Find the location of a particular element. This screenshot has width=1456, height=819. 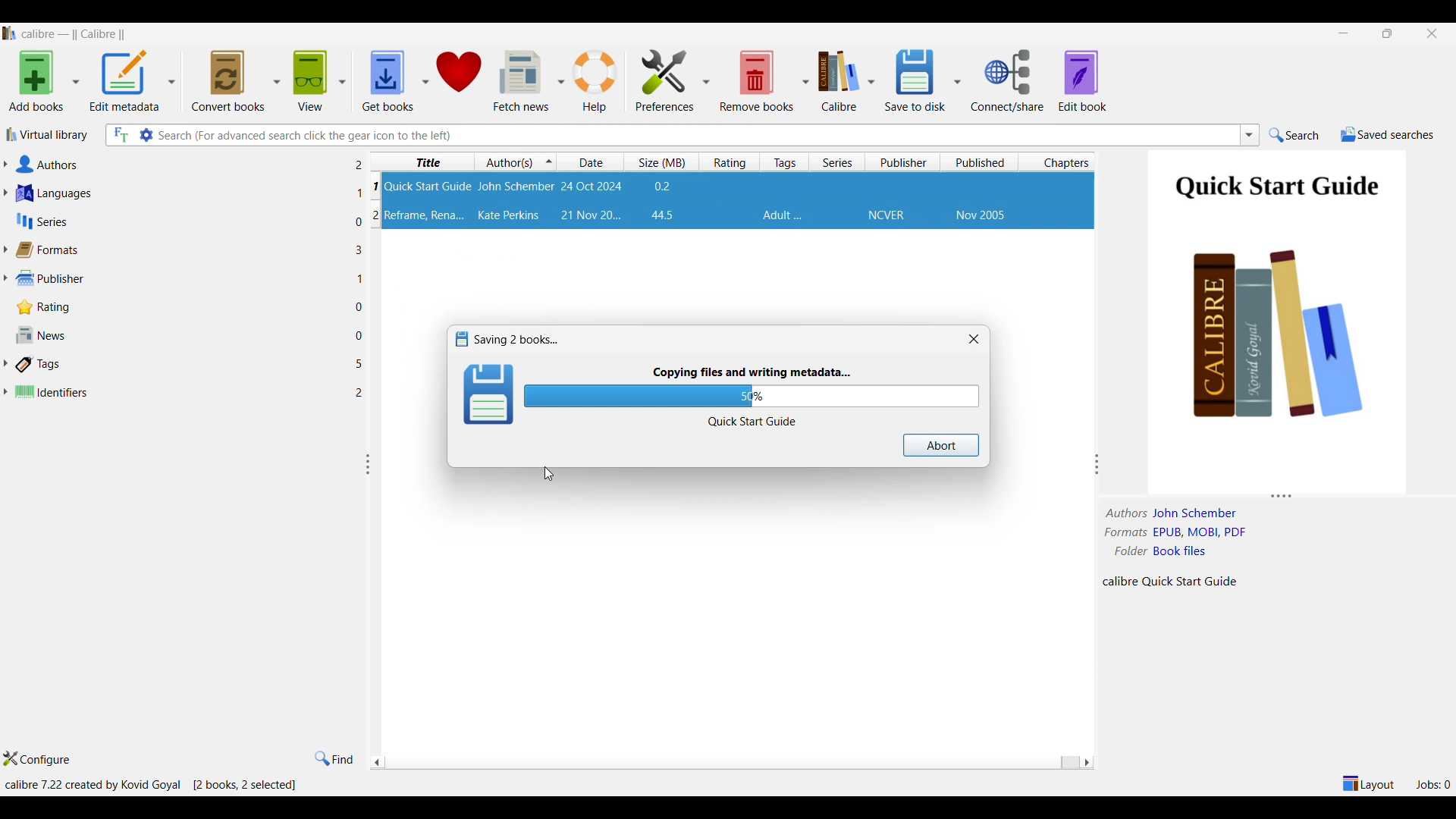

Calibre options is located at coordinates (846, 80).